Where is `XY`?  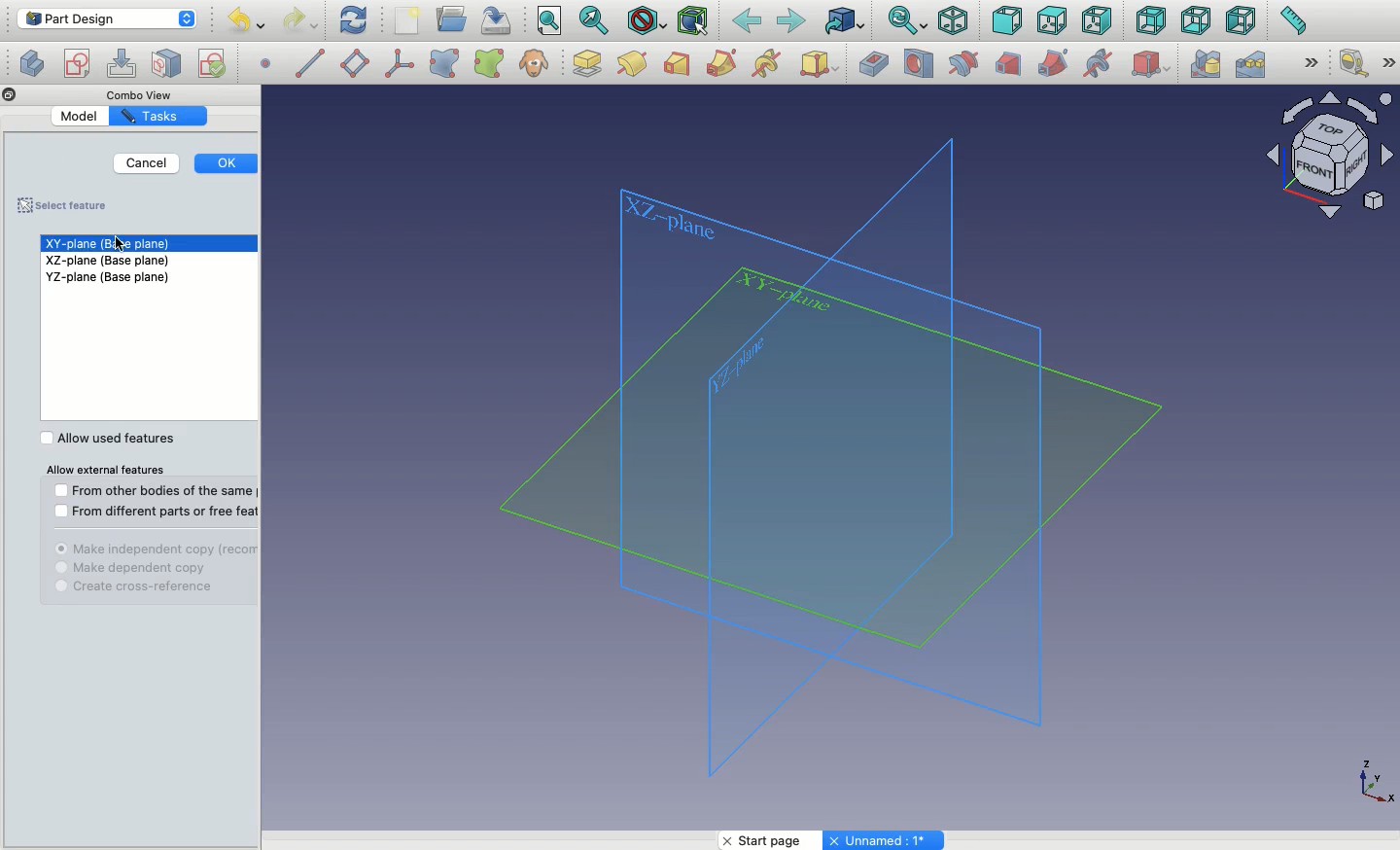 XY is located at coordinates (74, 243).